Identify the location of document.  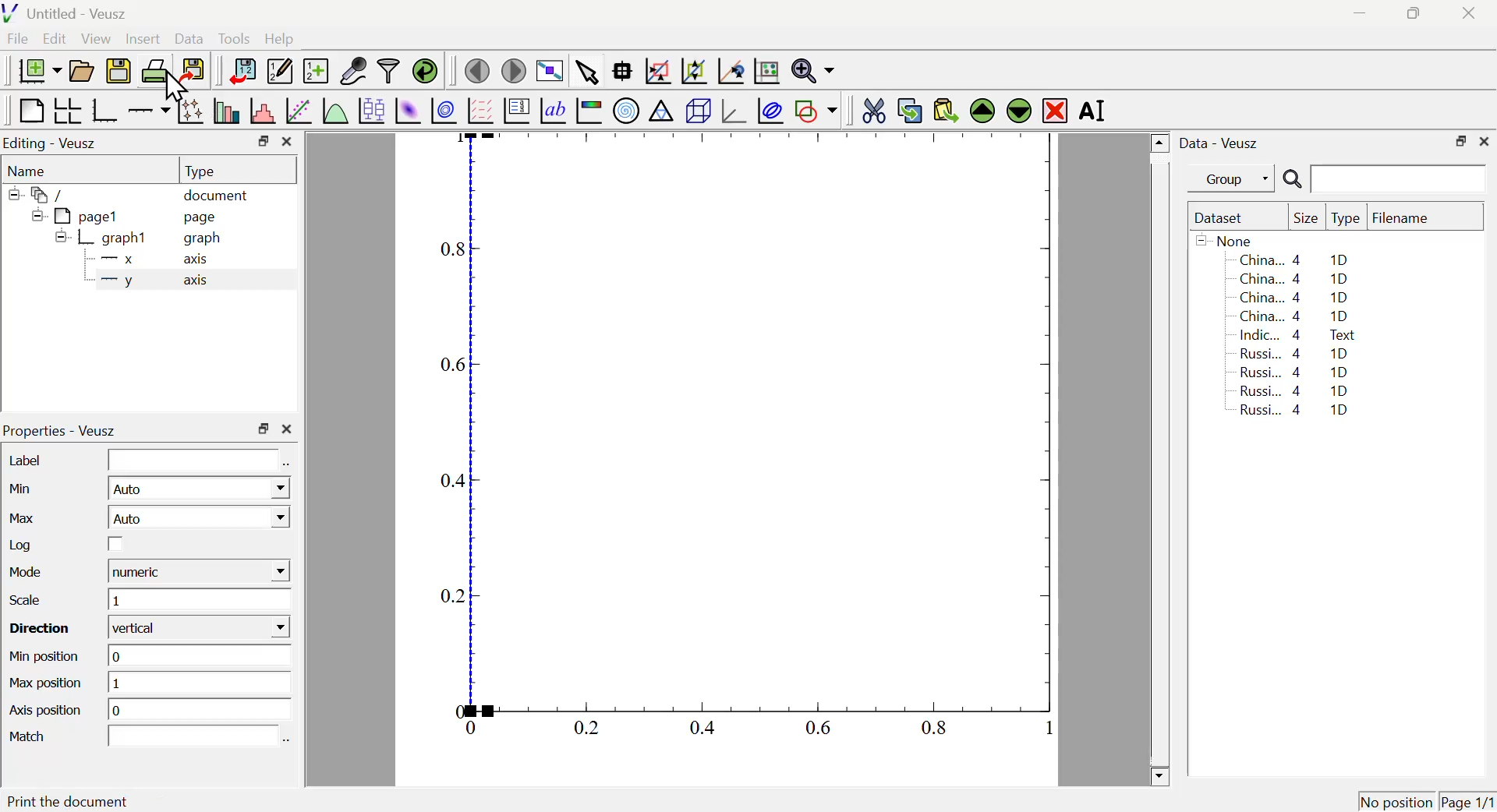
(217, 197).